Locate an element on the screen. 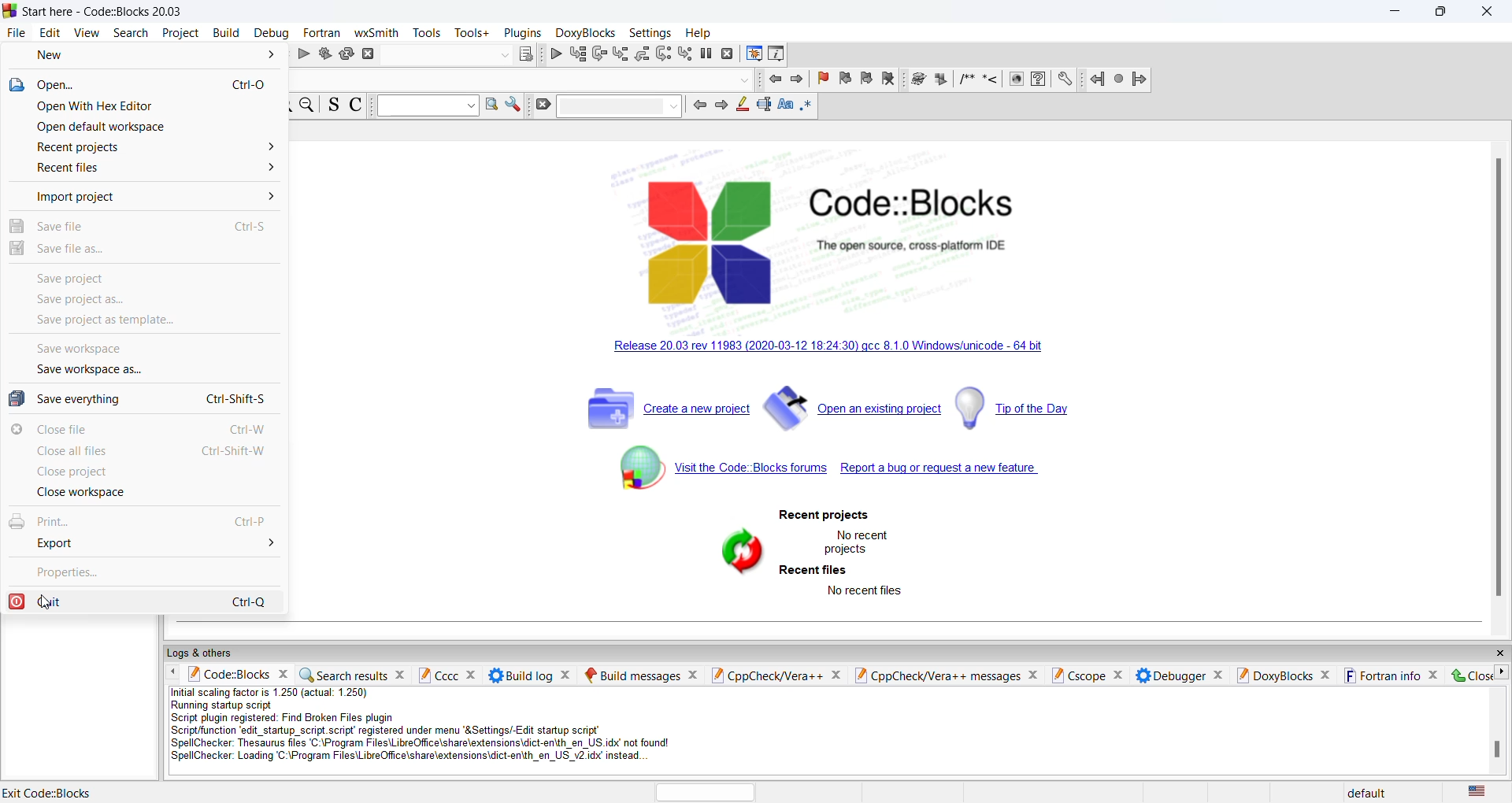 The height and width of the screenshot is (803, 1512). step into is located at coordinates (598, 54).